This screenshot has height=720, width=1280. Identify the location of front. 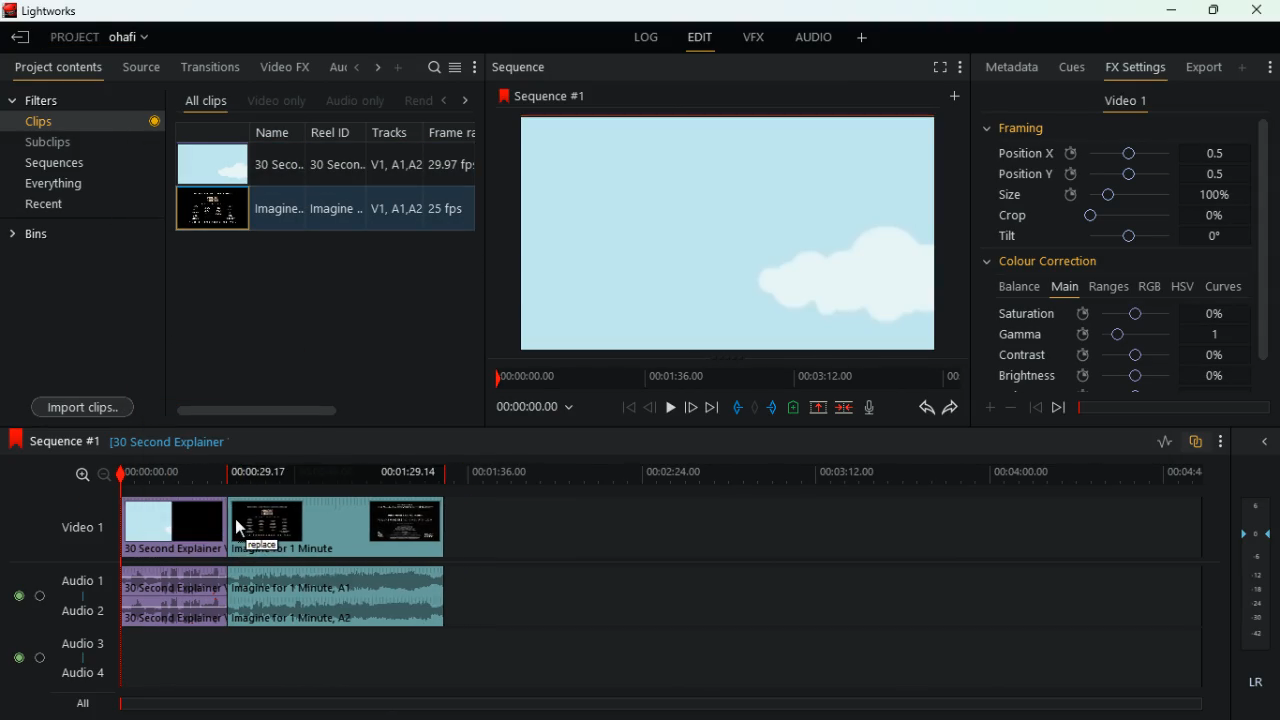
(689, 405).